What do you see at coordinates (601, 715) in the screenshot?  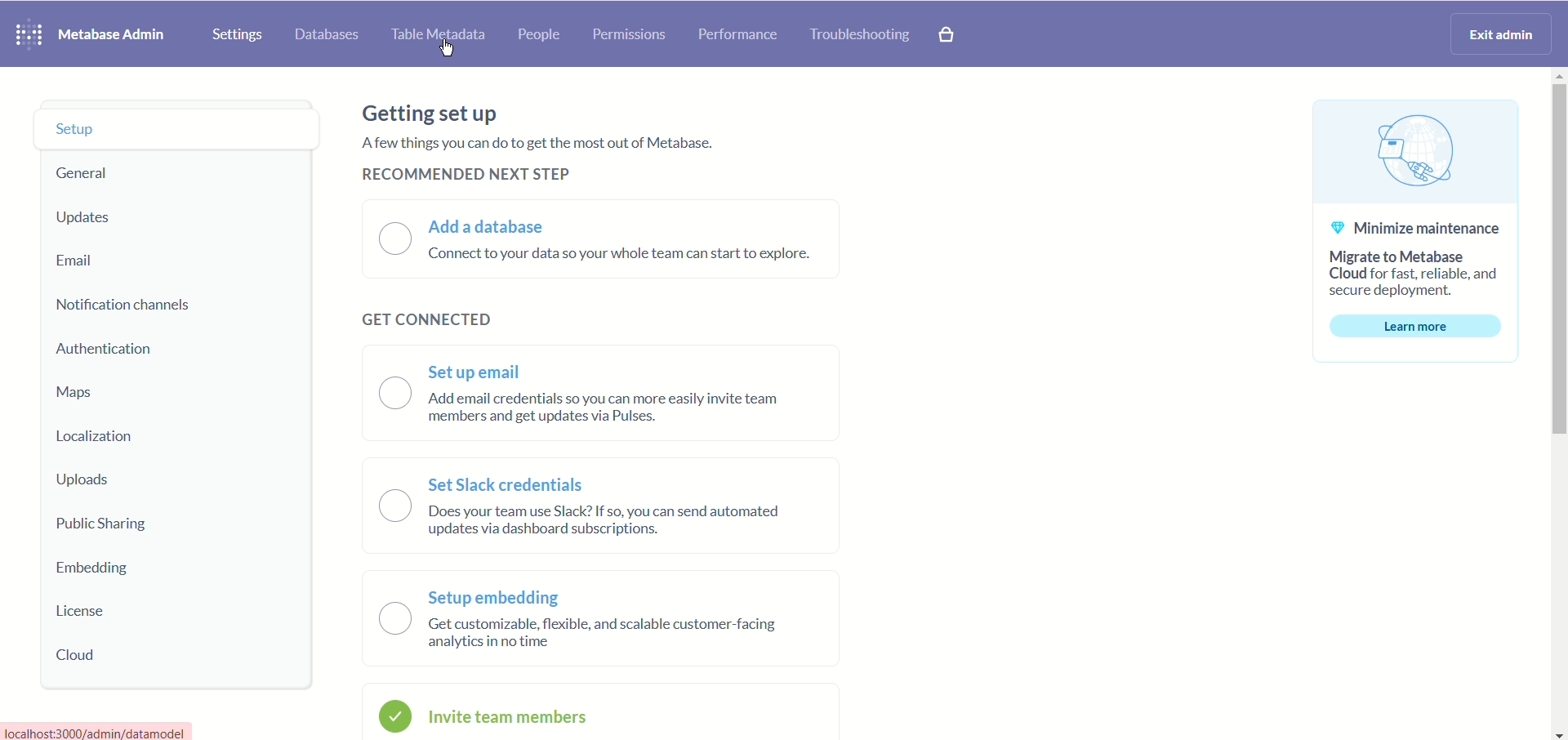 I see `Invite team members` at bounding box center [601, 715].